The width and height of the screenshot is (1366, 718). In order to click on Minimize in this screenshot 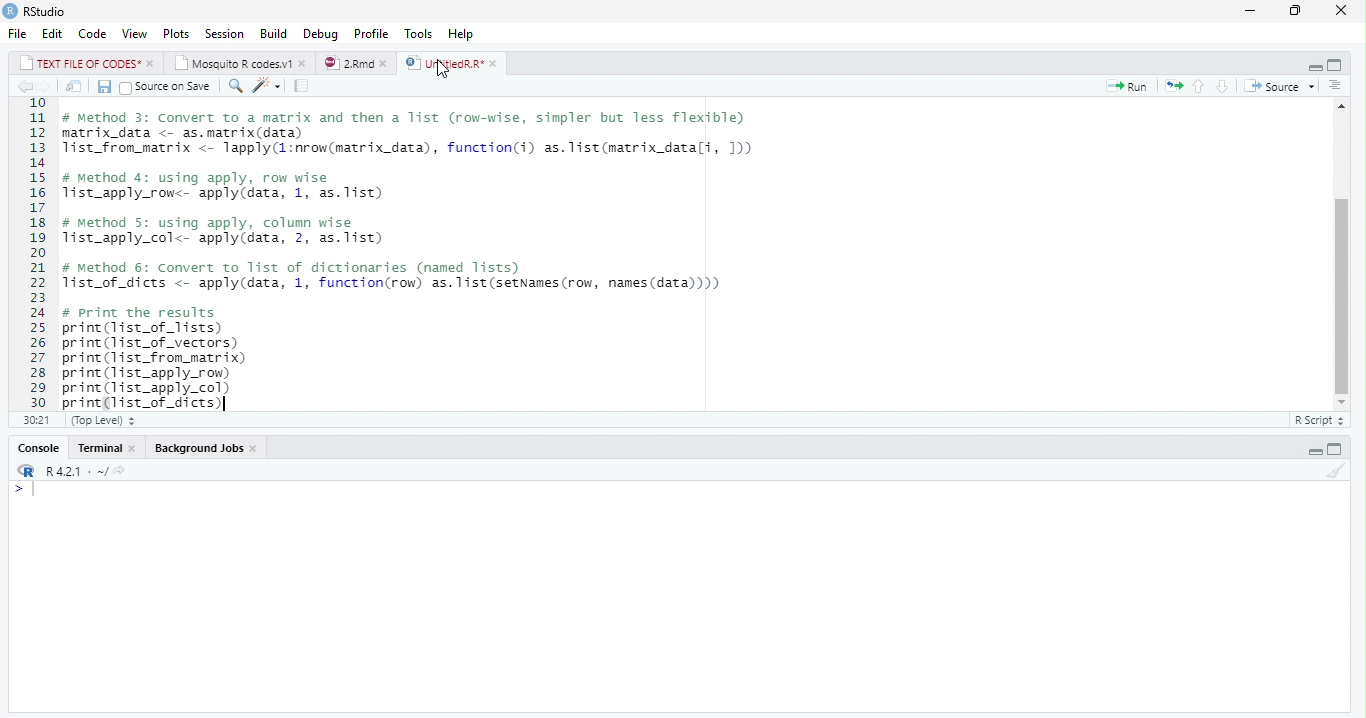, I will do `click(1251, 10)`.